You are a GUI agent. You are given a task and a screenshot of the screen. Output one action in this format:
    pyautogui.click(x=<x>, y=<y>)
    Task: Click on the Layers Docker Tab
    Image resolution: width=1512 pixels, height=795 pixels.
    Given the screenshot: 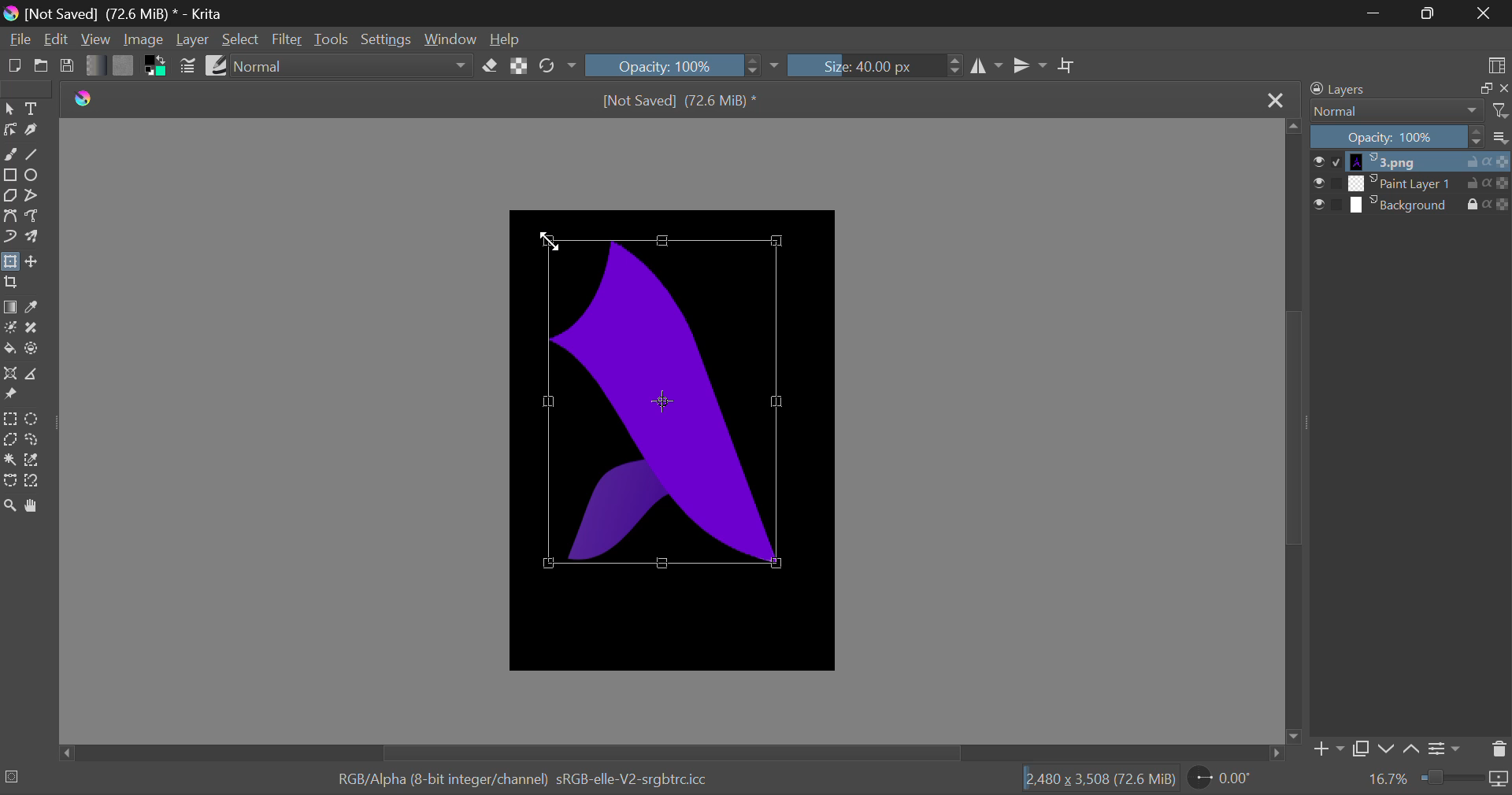 What is the action you would take?
    pyautogui.click(x=1345, y=90)
    